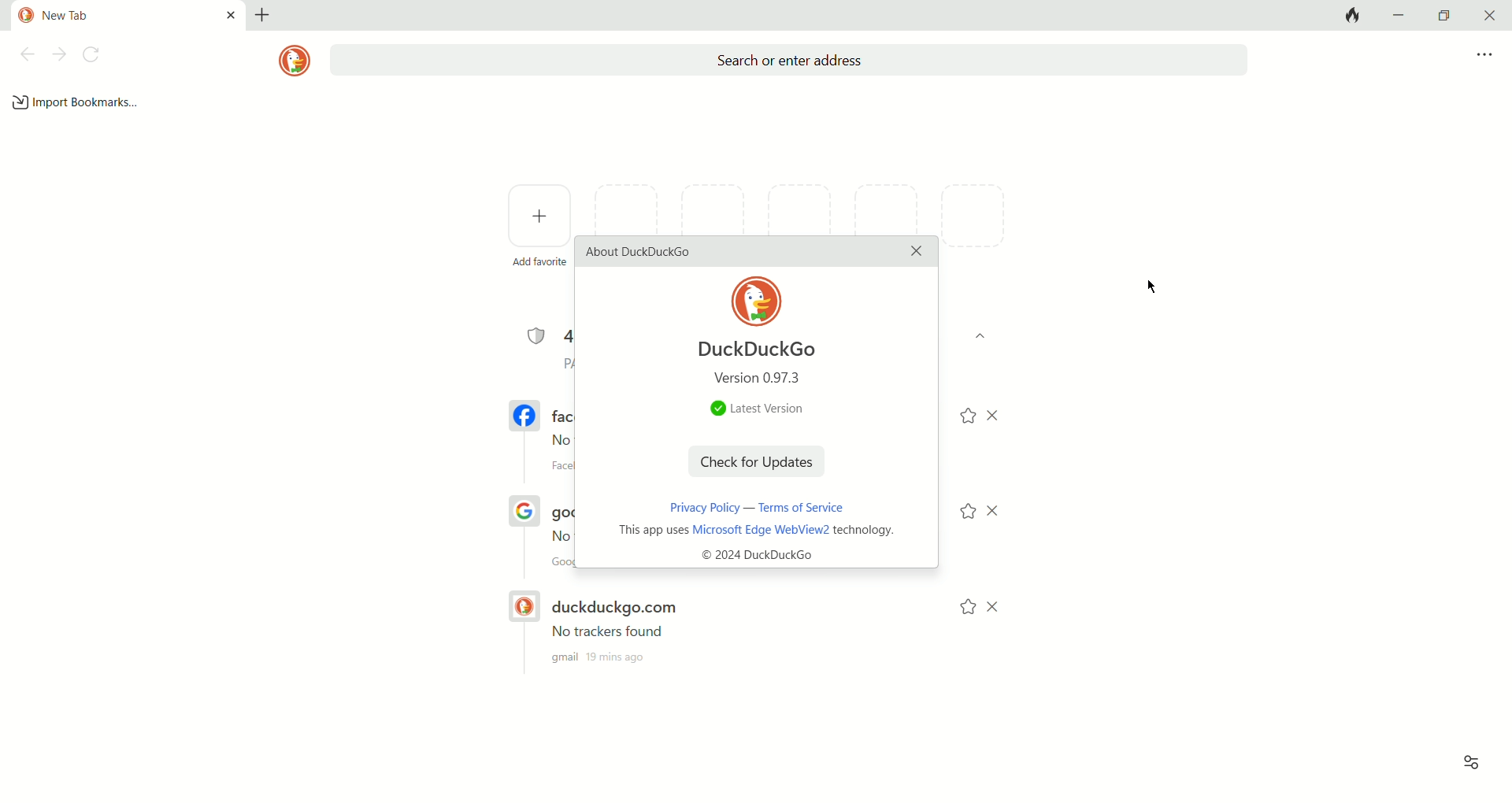 The height and width of the screenshot is (803, 1512). Describe the element at coordinates (1000, 607) in the screenshot. I see `close` at that location.